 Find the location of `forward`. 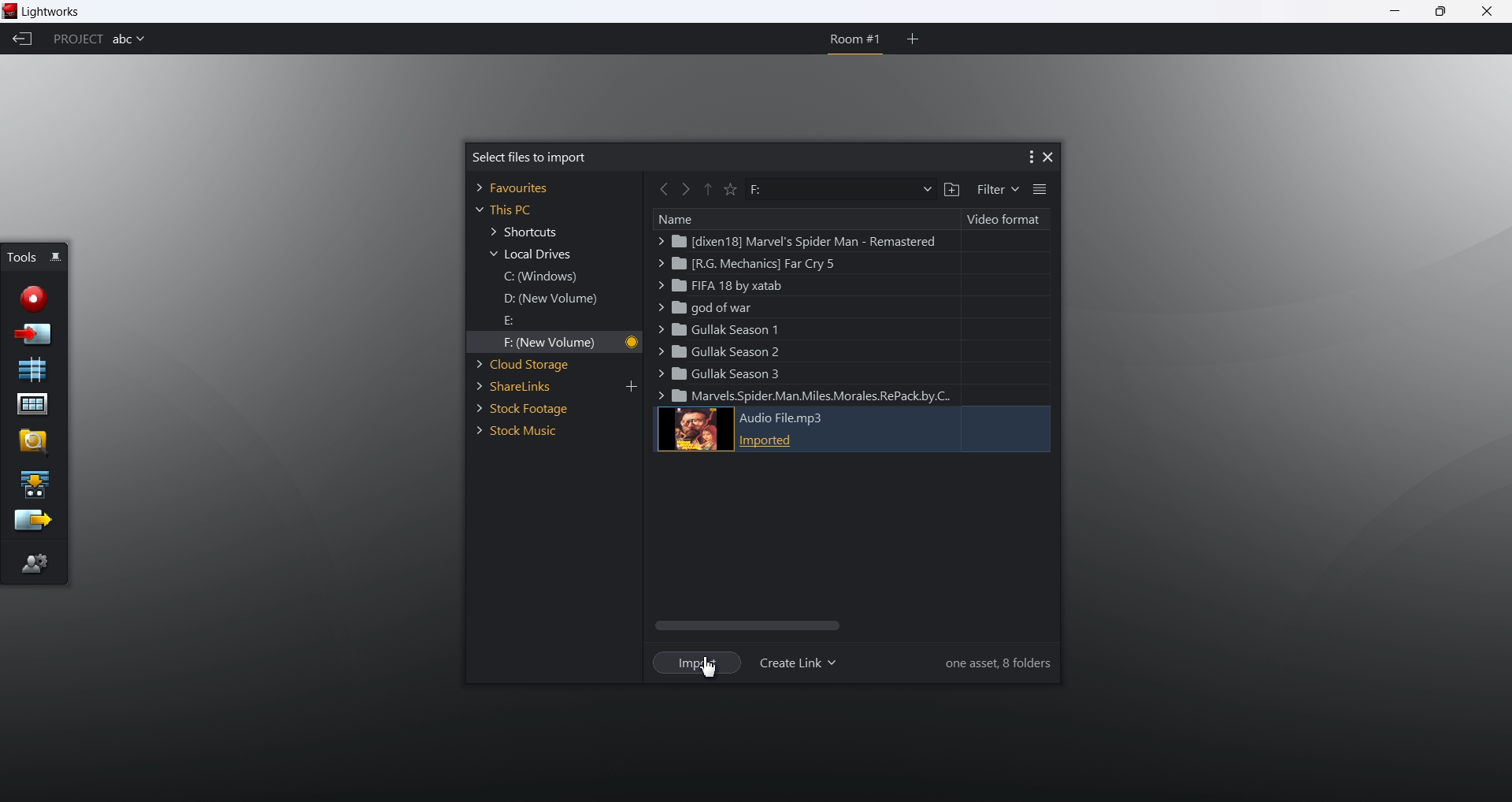

forward is located at coordinates (682, 188).